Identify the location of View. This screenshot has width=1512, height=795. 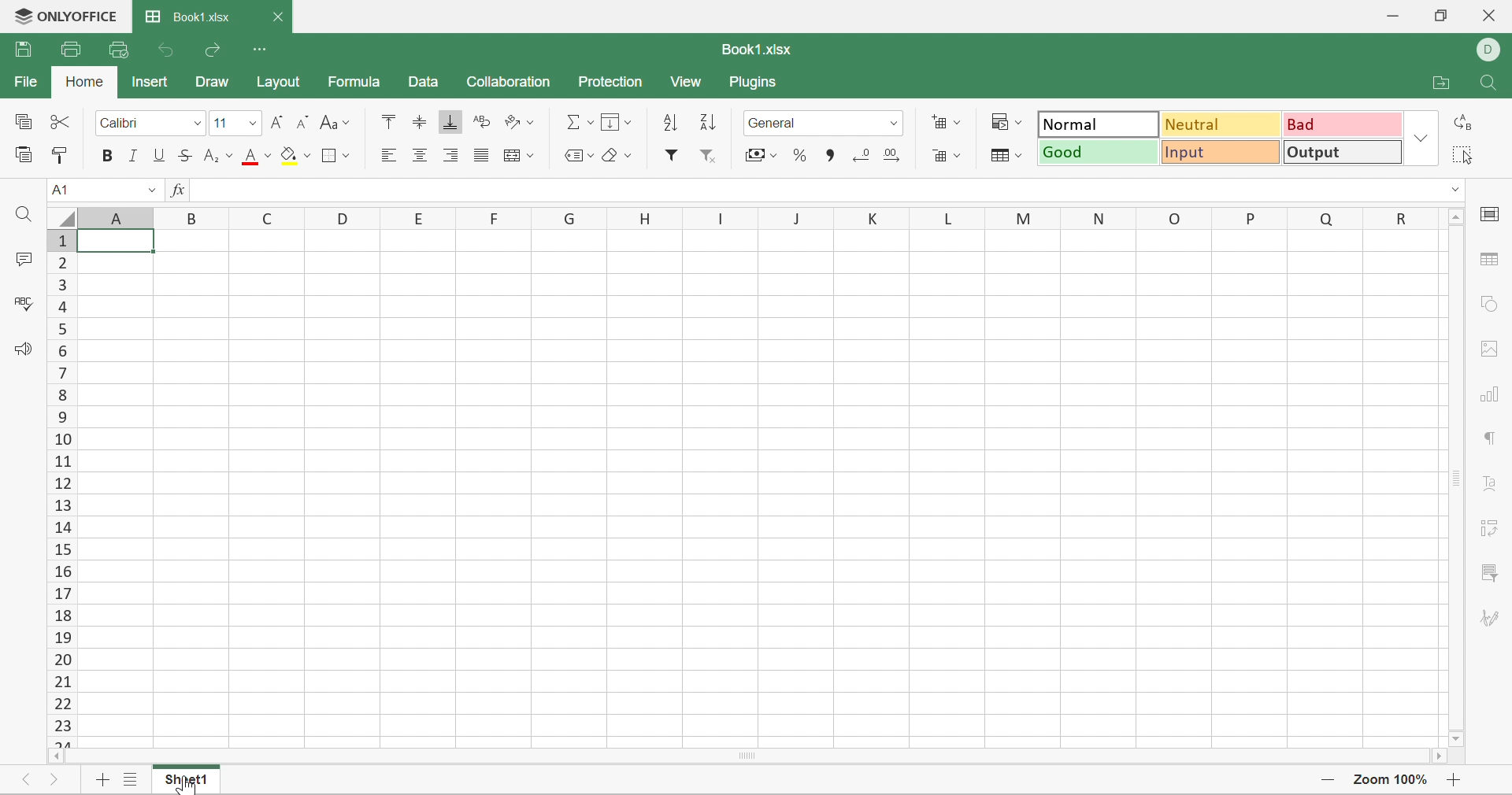
(688, 83).